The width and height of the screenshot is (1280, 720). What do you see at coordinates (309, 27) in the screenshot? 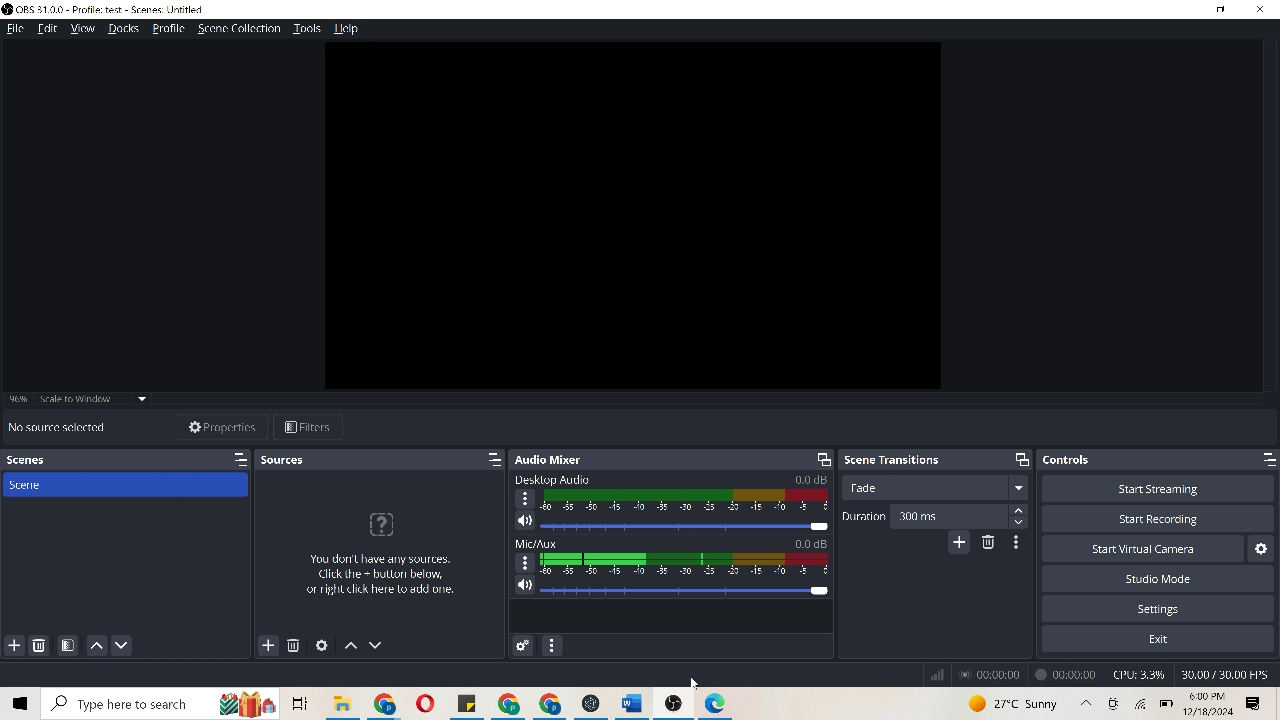
I see `tools` at bounding box center [309, 27].